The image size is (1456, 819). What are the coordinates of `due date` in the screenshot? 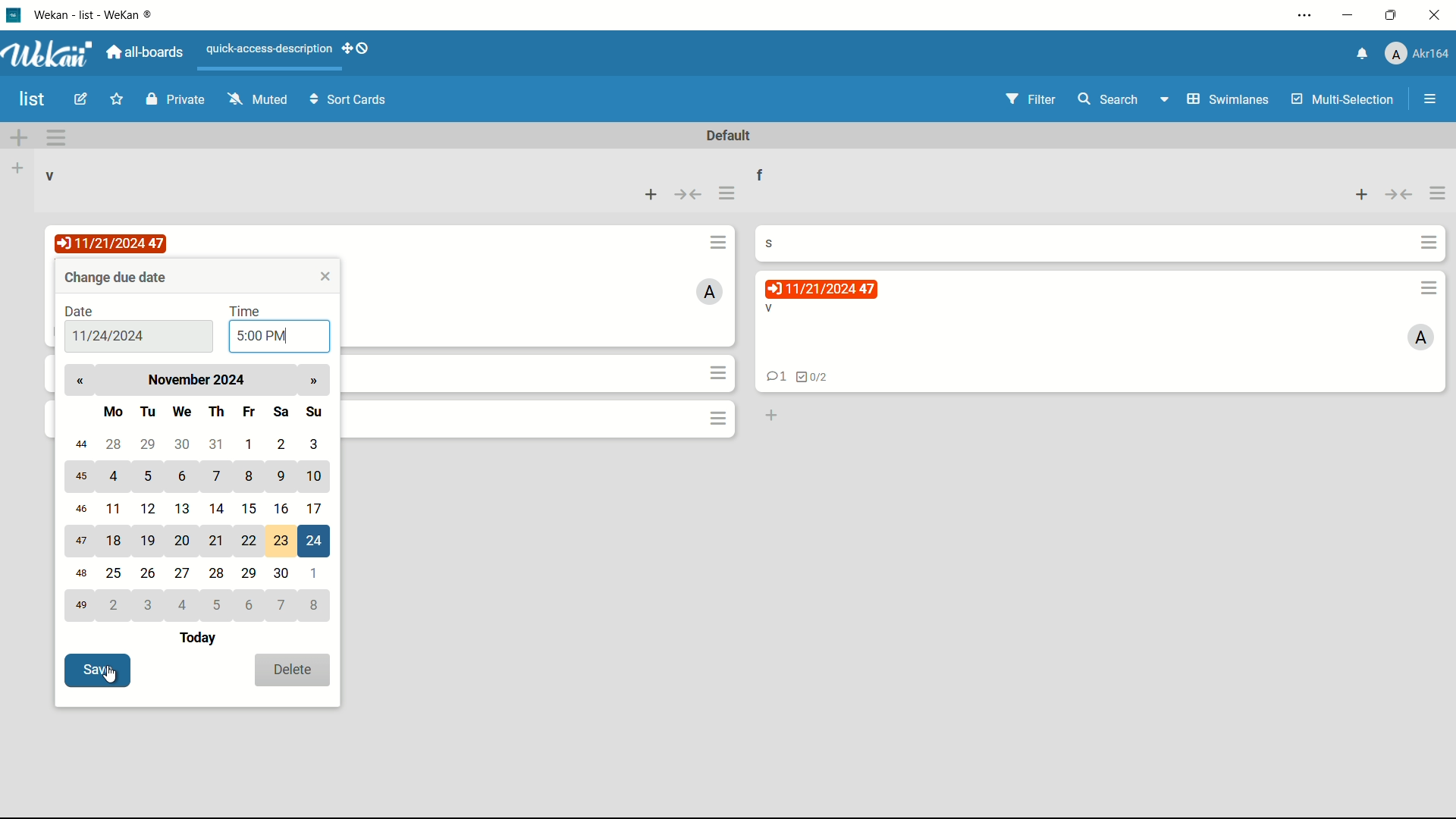 It's located at (821, 289).